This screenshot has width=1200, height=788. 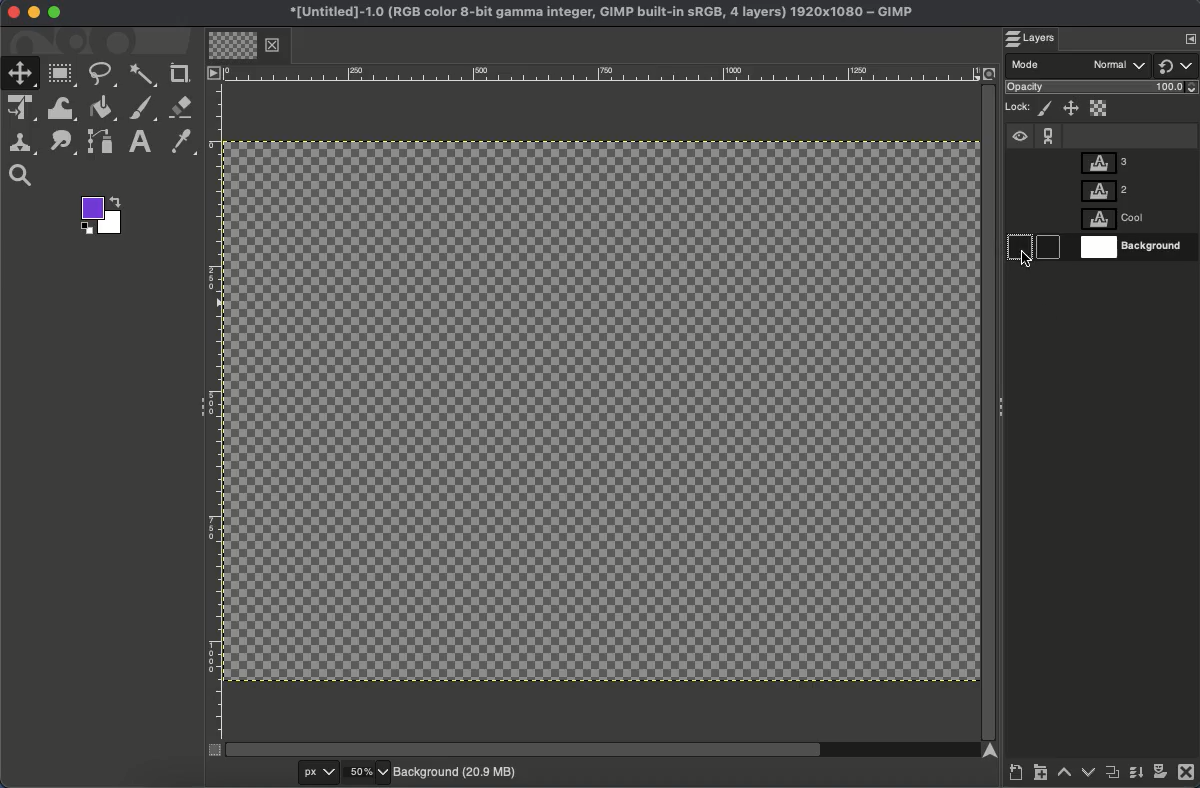 What do you see at coordinates (457, 770) in the screenshot?
I see `Background` at bounding box center [457, 770].